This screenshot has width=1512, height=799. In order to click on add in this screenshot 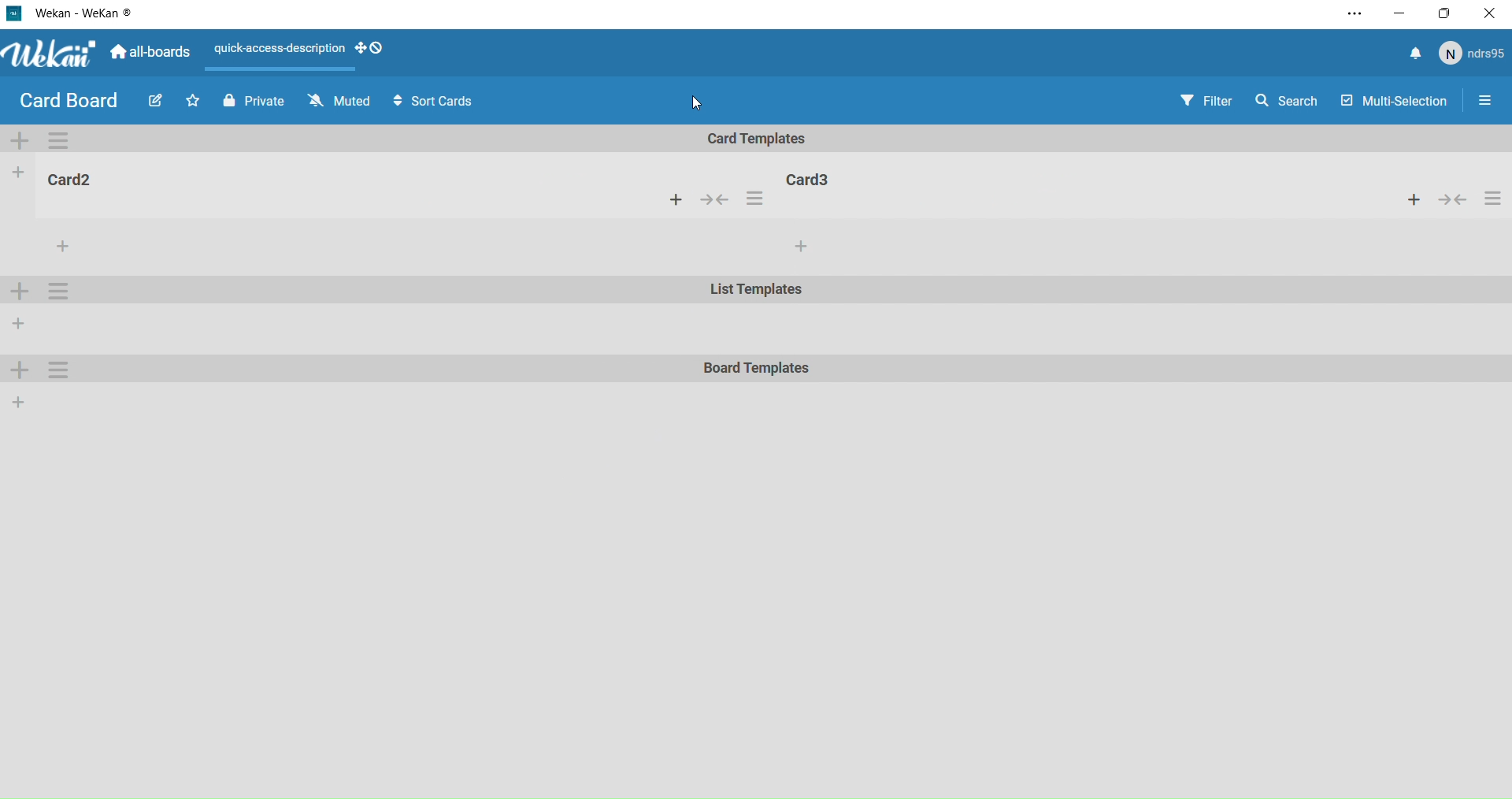, I will do `click(16, 173)`.